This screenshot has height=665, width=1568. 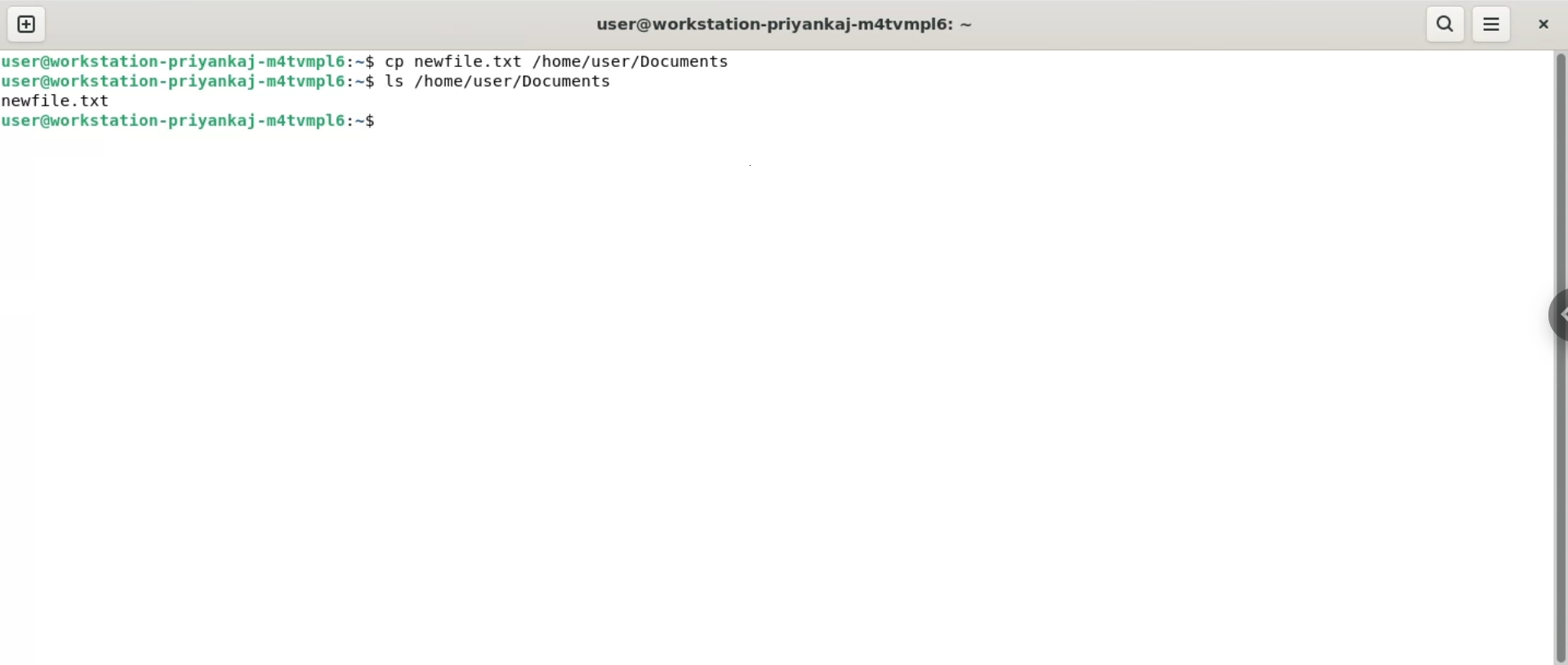 What do you see at coordinates (1541, 21) in the screenshot?
I see `close` at bounding box center [1541, 21].